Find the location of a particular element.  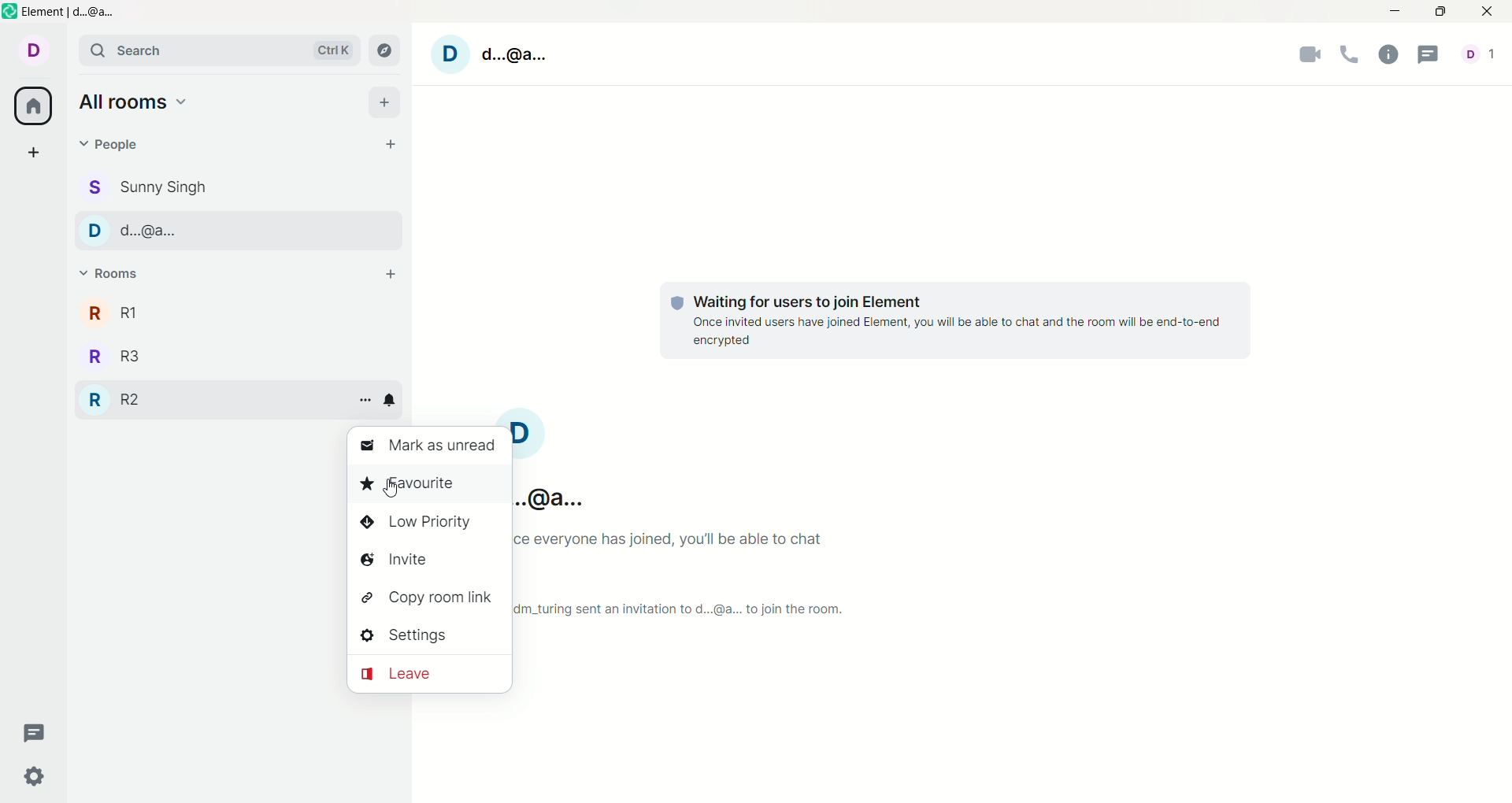

create a space is located at coordinates (35, 151).